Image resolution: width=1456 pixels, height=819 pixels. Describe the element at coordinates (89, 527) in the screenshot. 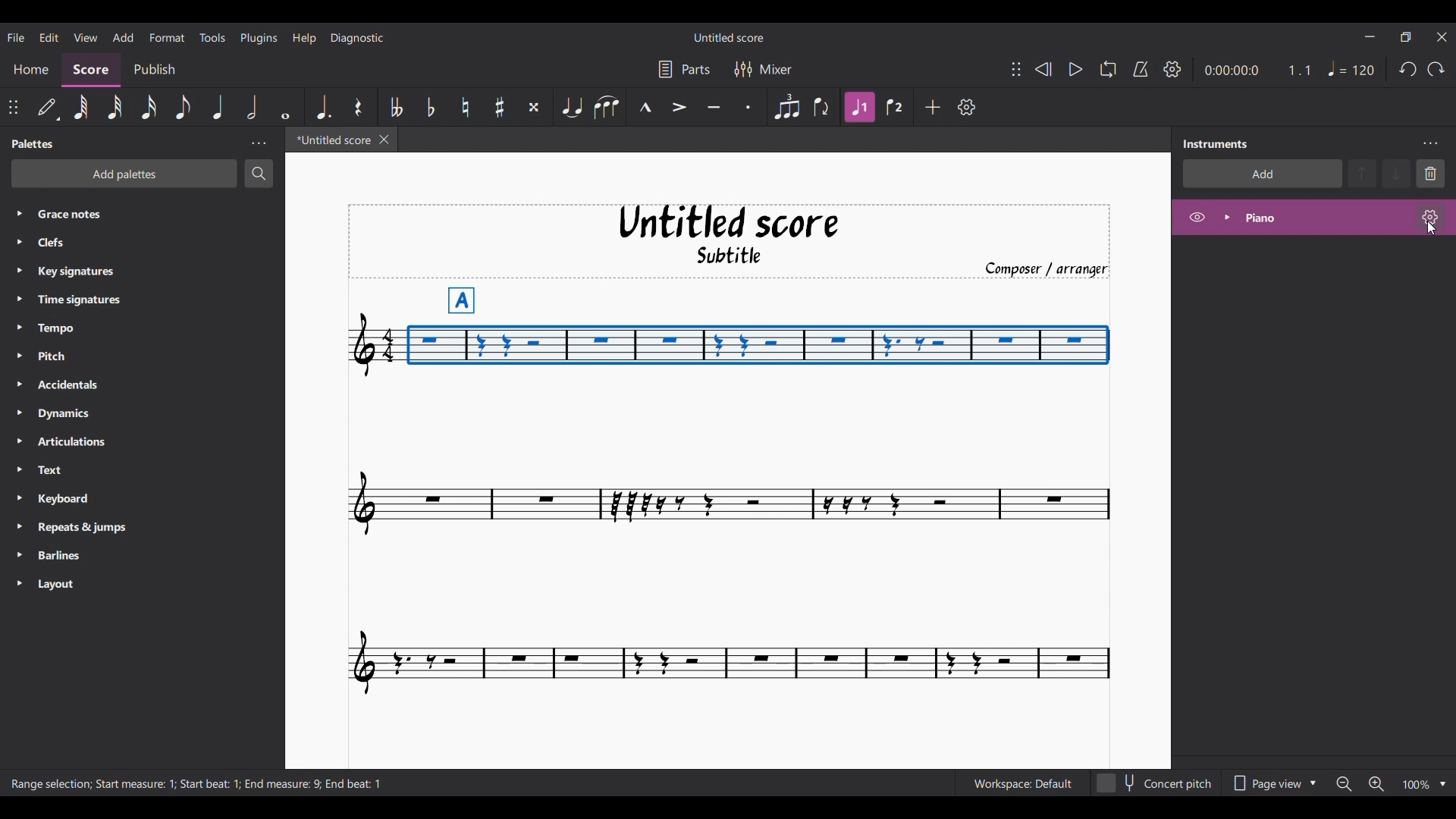

I see `Repeats & jumps` at that location.